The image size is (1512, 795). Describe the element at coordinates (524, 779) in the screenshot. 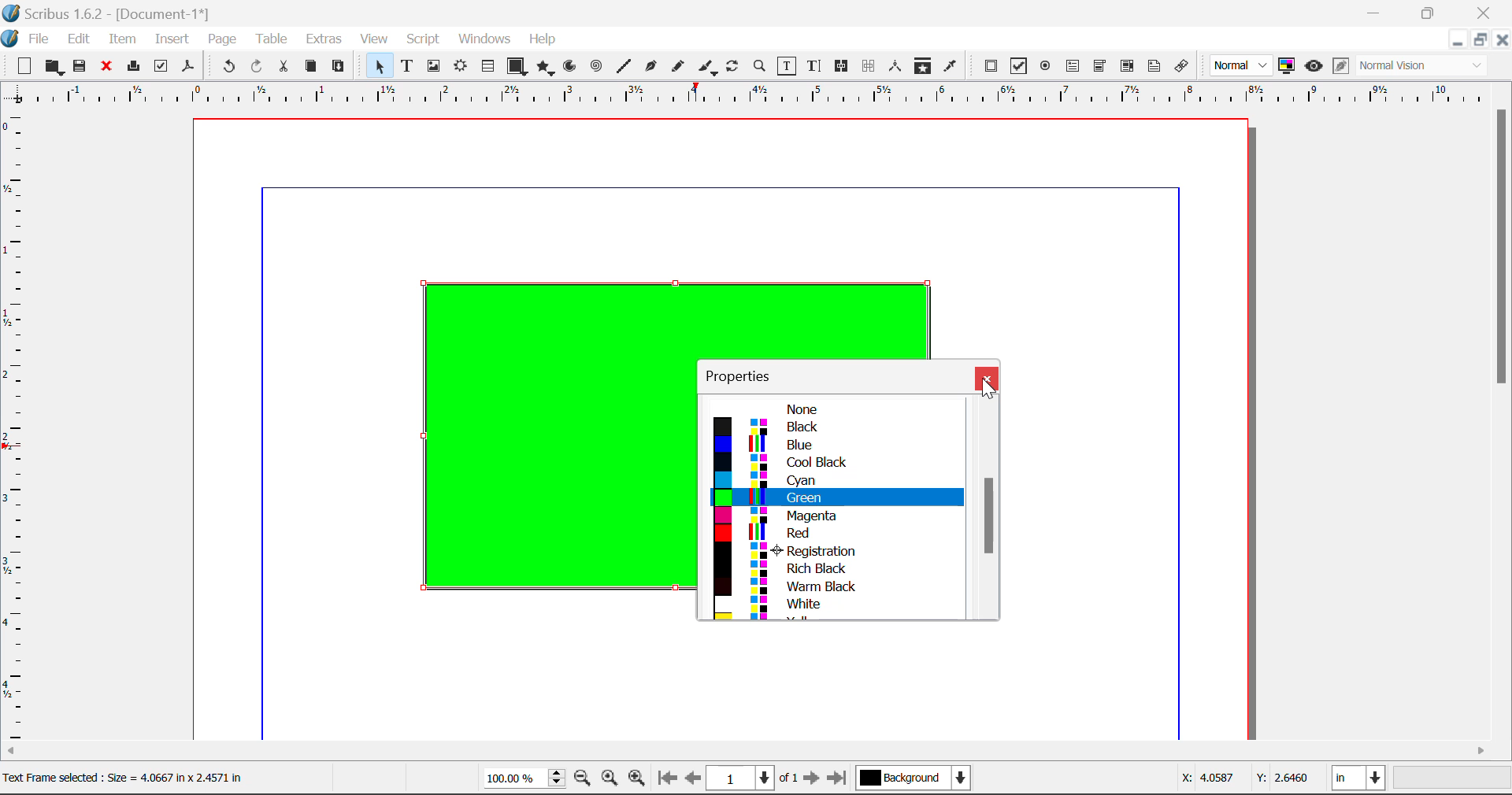

I see `Zoom 100%` at that location.